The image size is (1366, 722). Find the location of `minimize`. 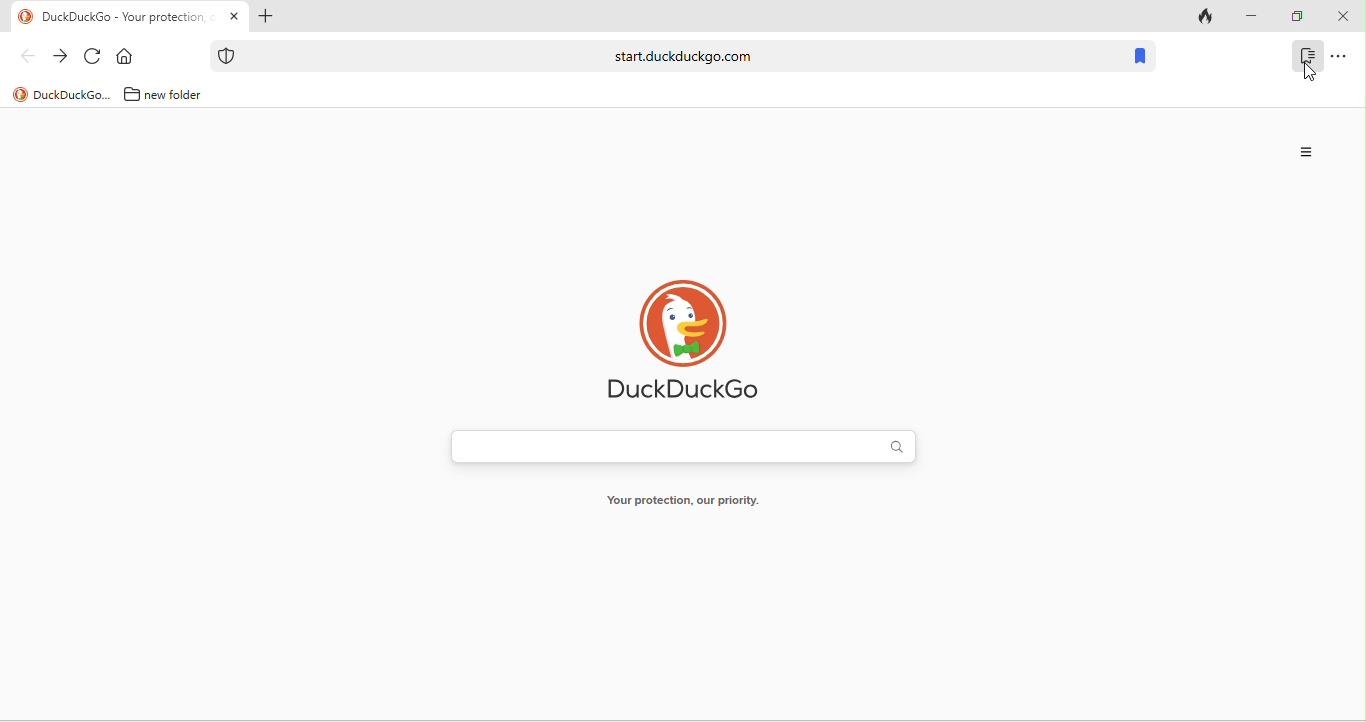

minimize is located at coordinates (1250, 17).